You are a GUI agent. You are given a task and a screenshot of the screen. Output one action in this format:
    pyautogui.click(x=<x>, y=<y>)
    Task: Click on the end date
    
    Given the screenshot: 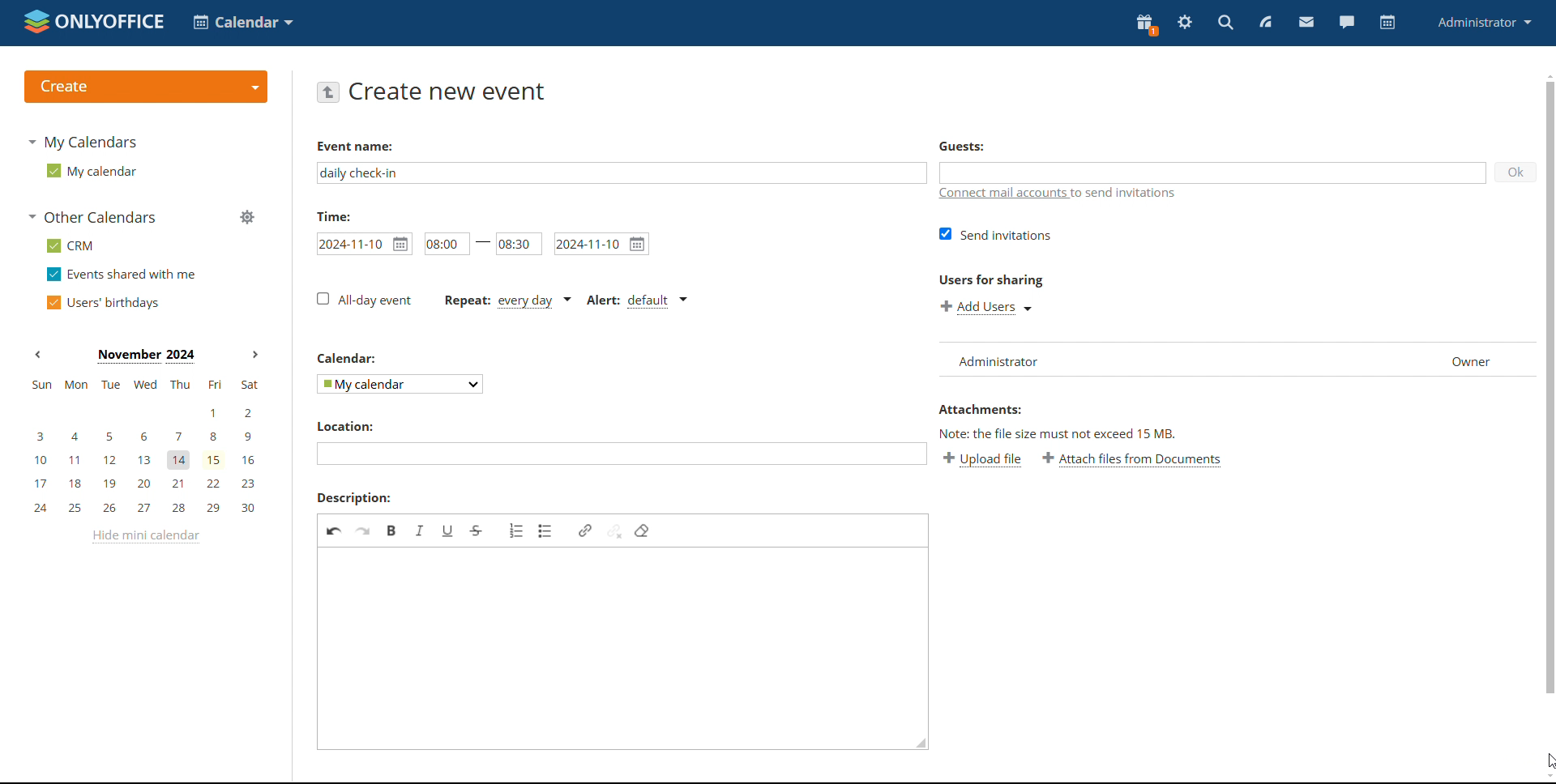 What is the action you would take?
    pyautogui.click(x=601, y=244)
    